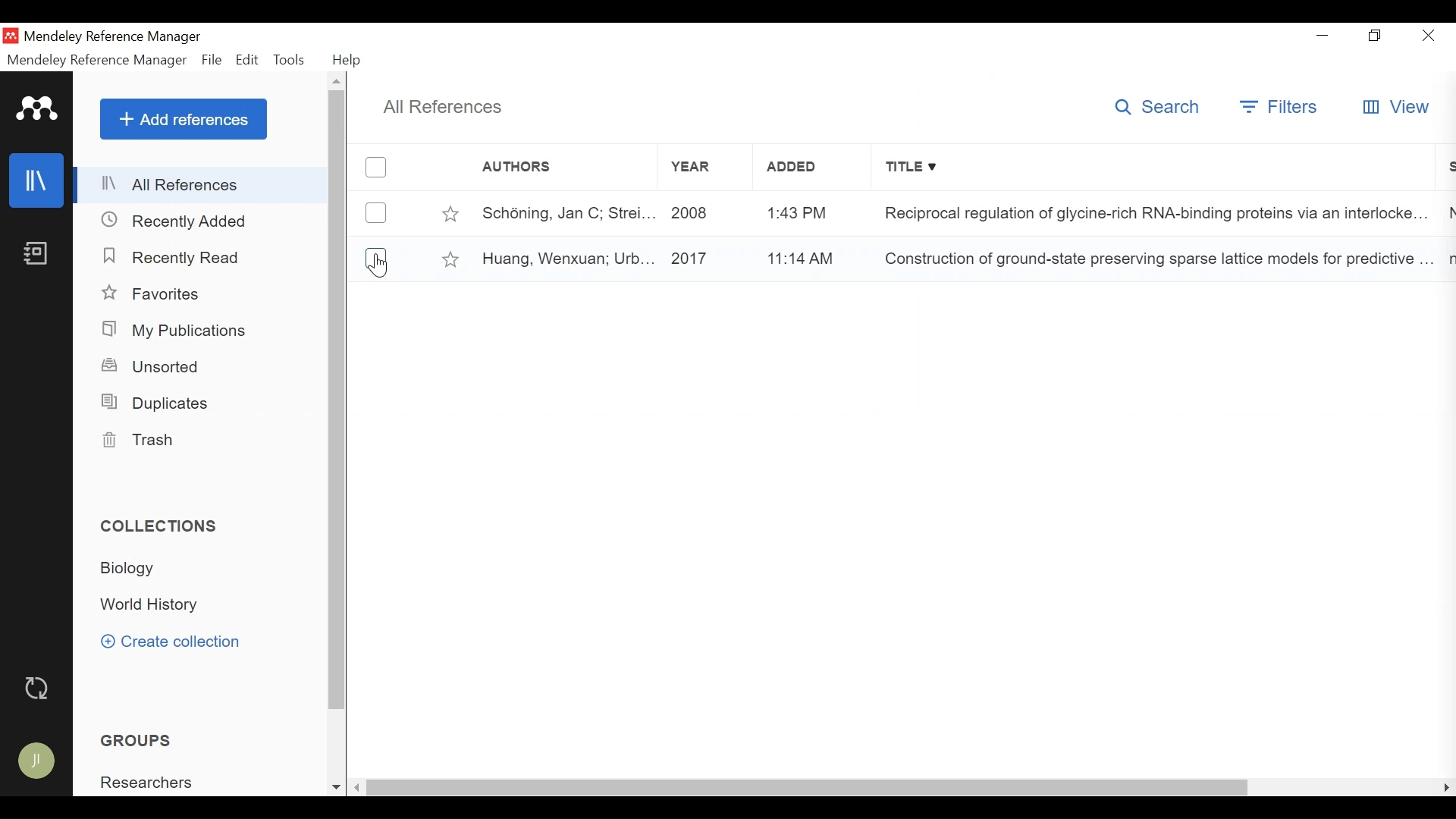 The height and width of the screenshot is (819, 1456). I want to click on Sync, so click(39, 690).